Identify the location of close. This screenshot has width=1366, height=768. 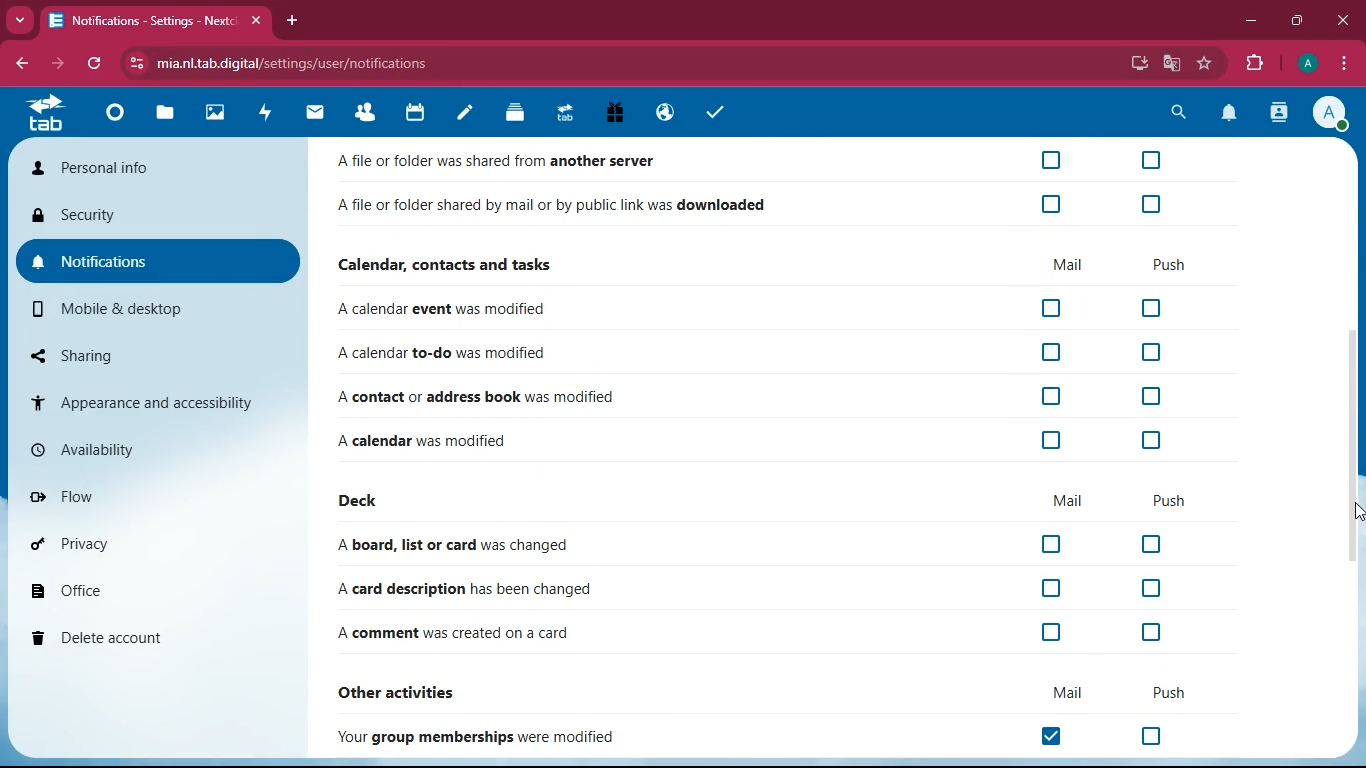
(254, 21).